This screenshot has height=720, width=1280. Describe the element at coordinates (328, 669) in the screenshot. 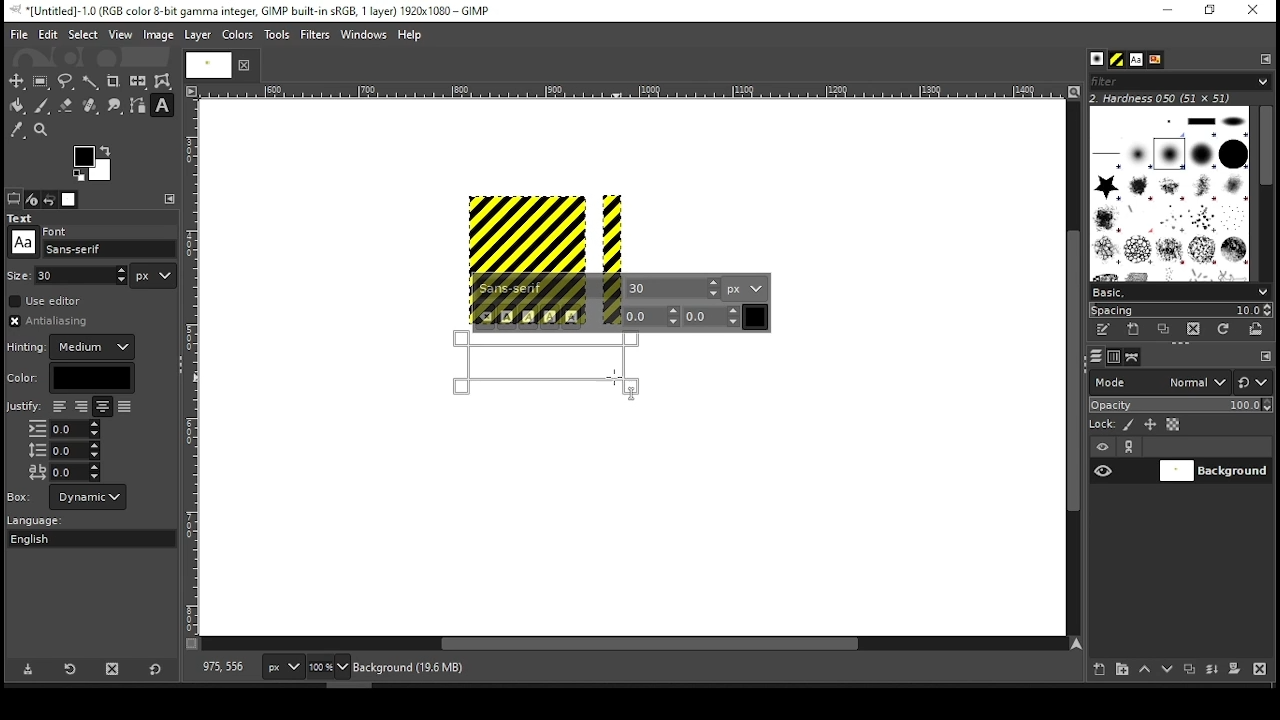

I see `zoom level` at that location.